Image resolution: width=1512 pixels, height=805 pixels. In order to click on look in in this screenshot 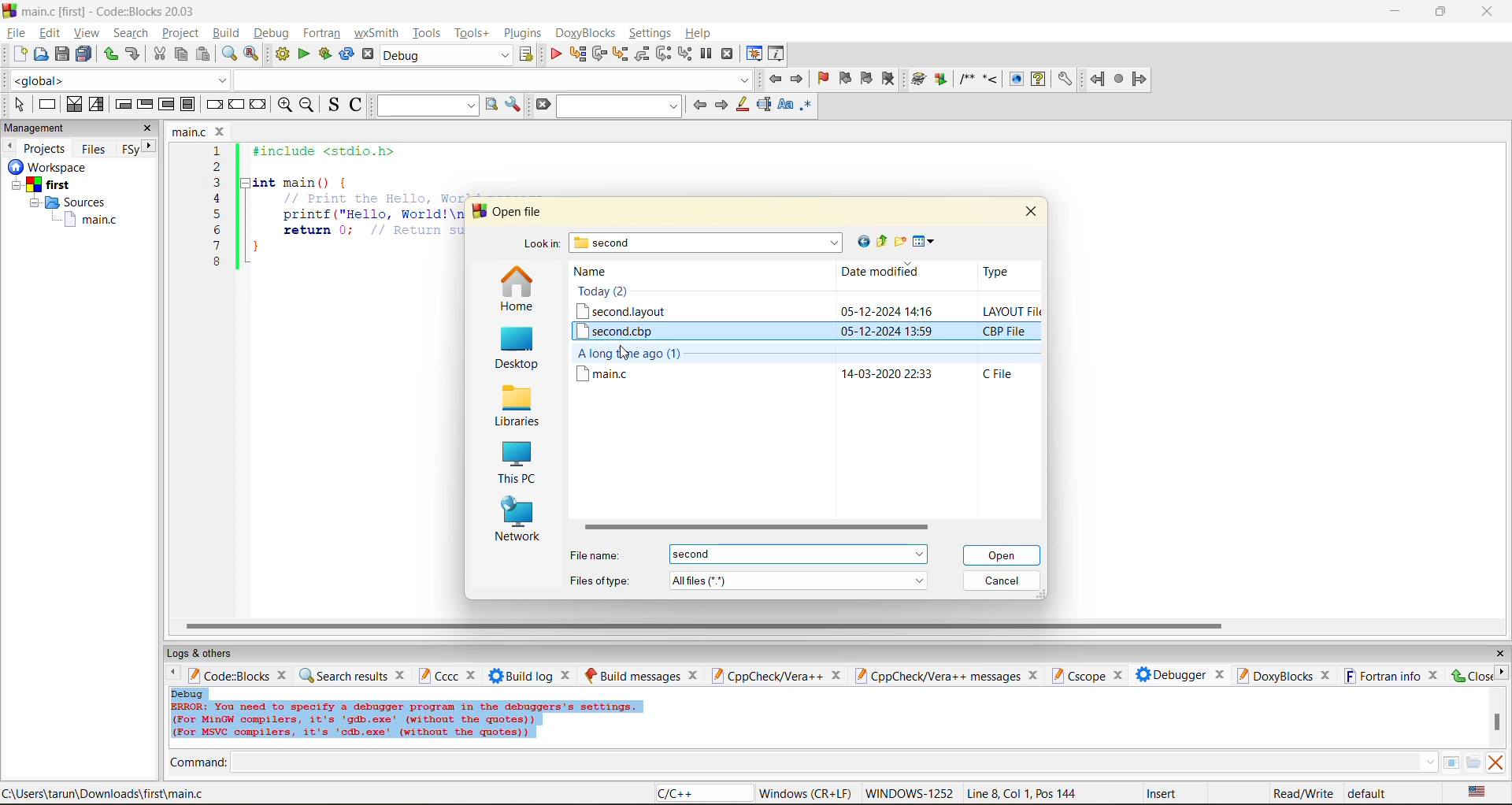, I will do `click(541, 246)`.